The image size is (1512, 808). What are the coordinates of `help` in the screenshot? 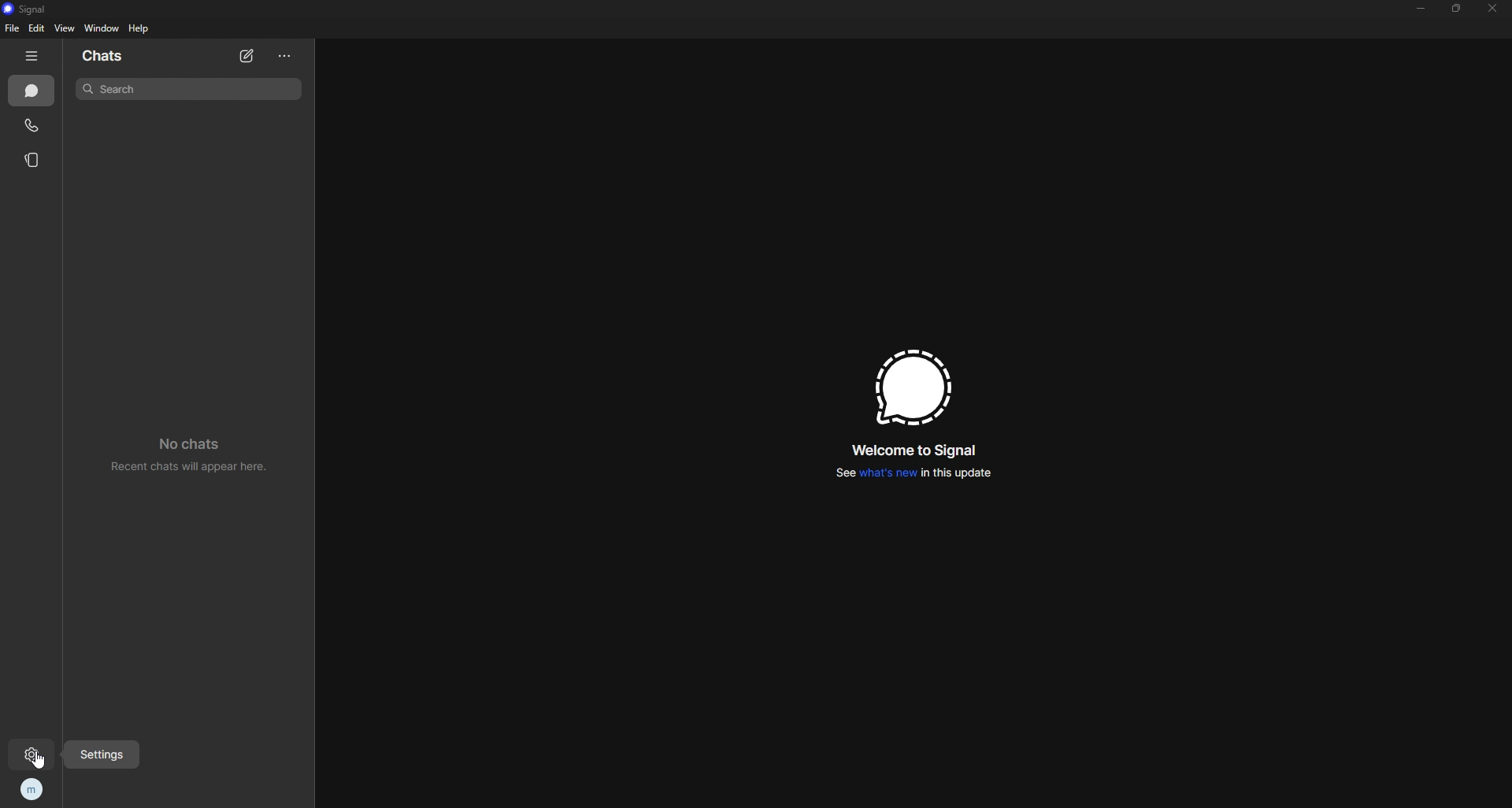 It's located at (139, 28).